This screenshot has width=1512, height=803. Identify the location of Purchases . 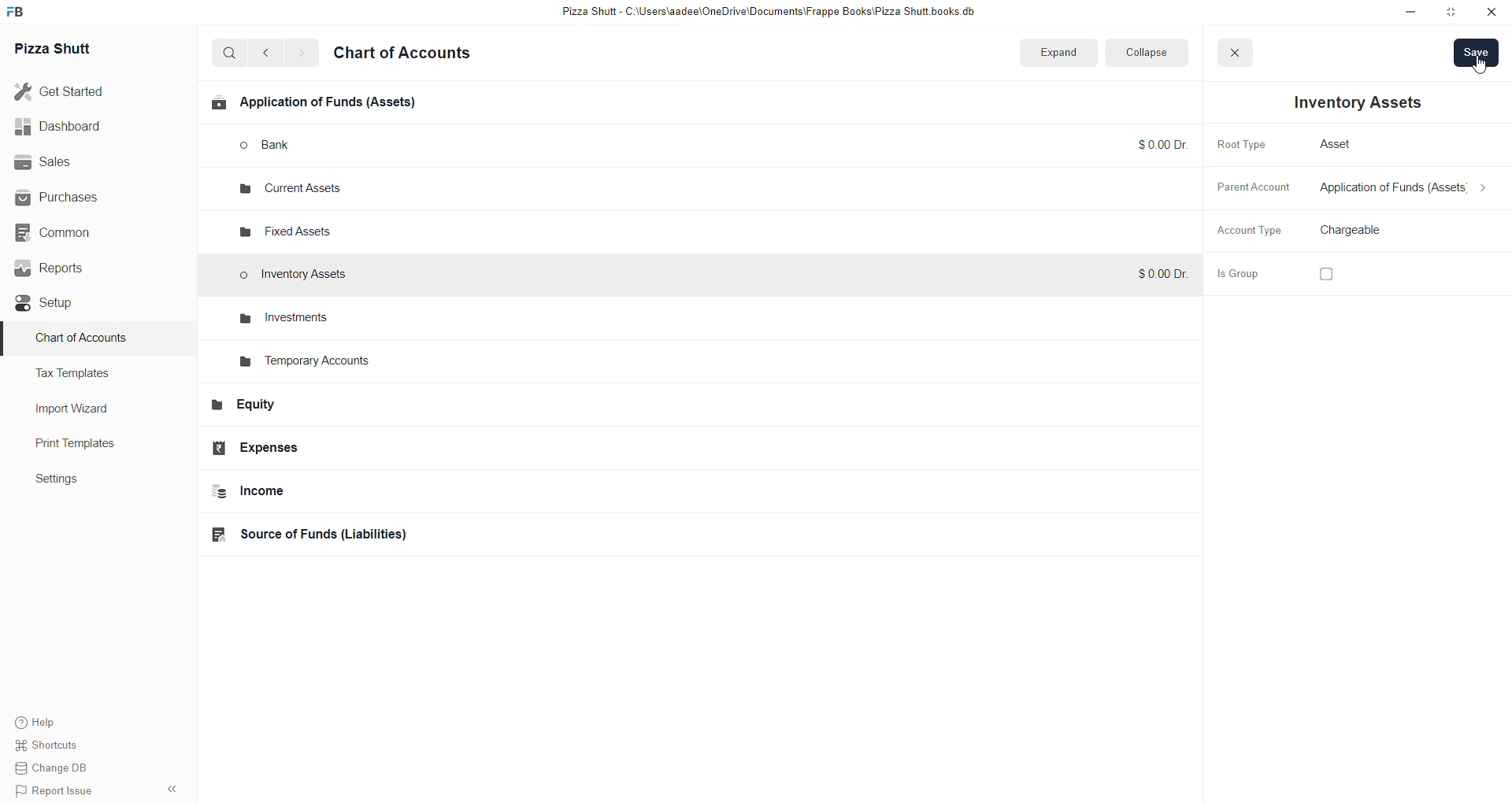
(65, 196).